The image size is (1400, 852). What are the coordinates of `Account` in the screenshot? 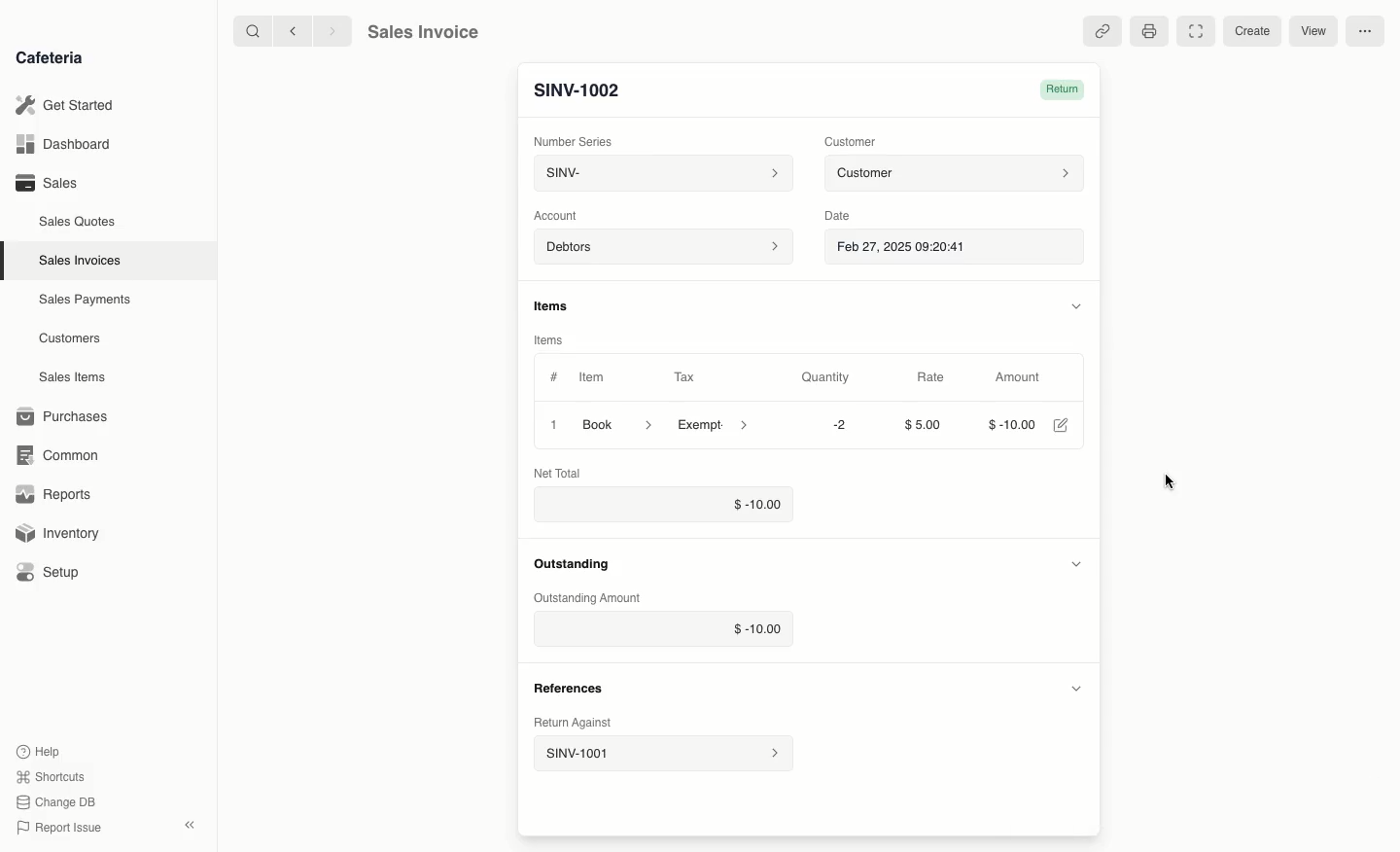 It's located at (561, 216).